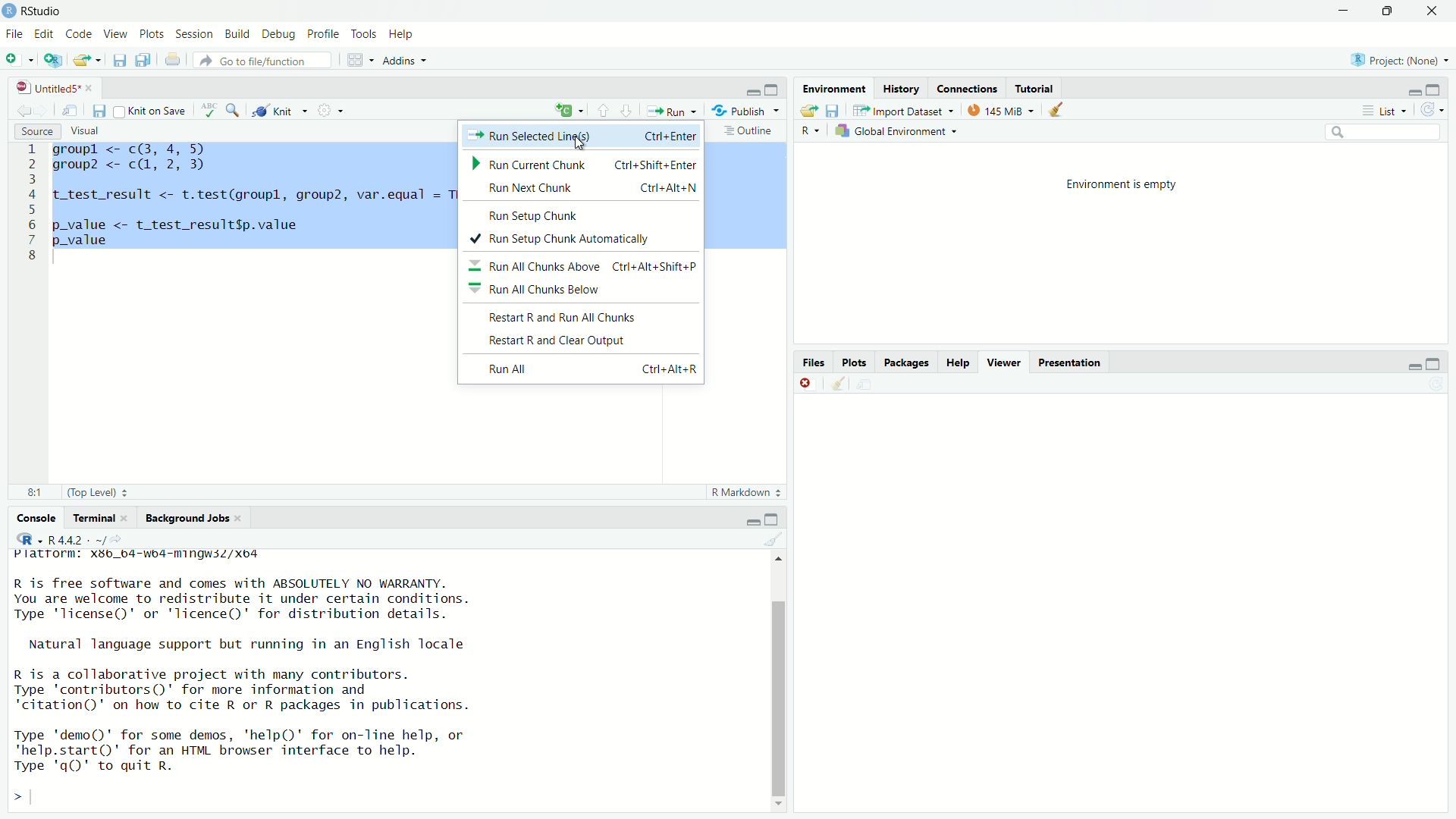 This screenshot has height=819, width=1456. I want to click on Connections, so click(967, 88).